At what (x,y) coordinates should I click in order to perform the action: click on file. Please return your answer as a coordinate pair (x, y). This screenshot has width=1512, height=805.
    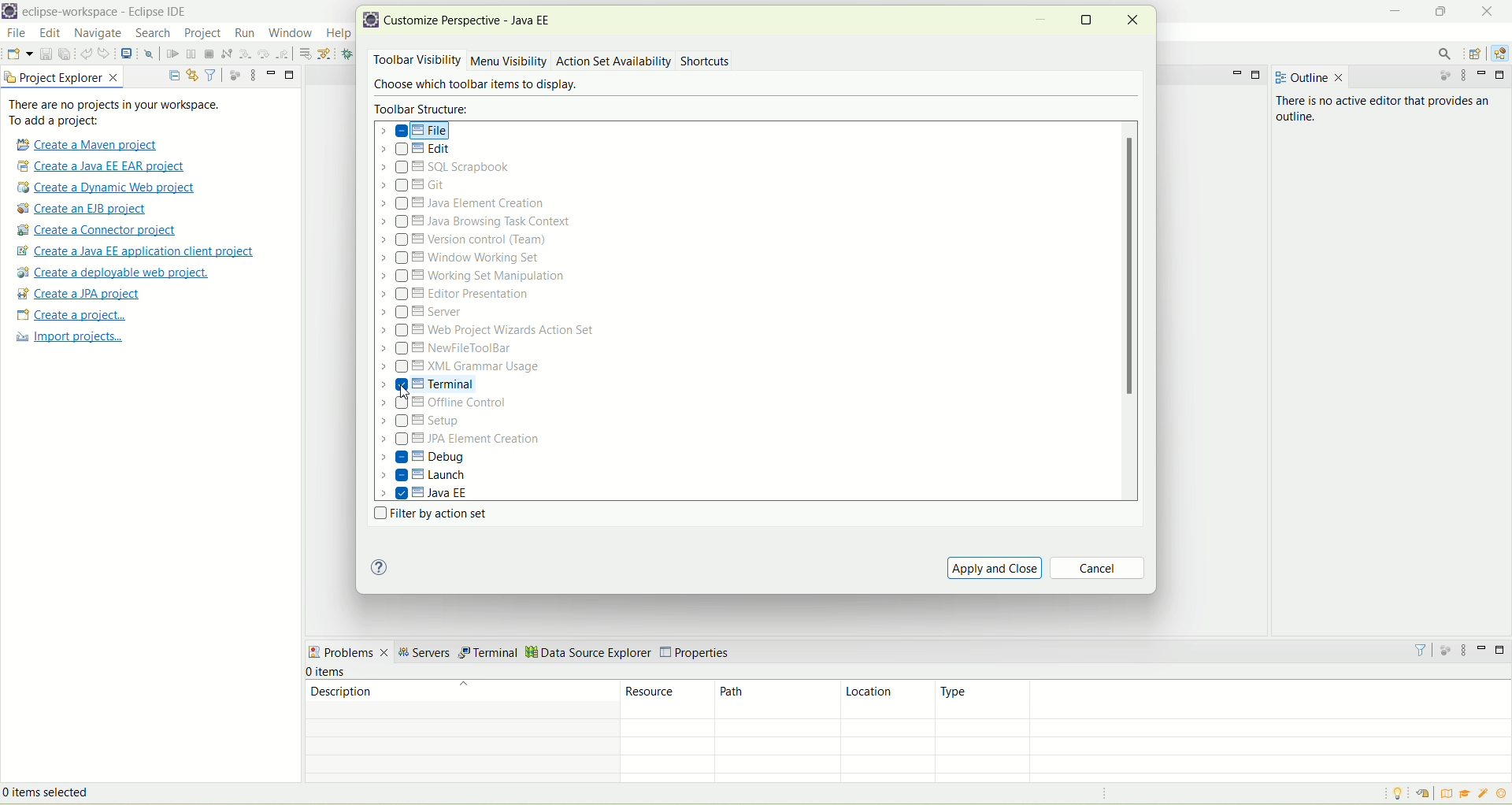
    Looking at the image, I should click on (17, 33).